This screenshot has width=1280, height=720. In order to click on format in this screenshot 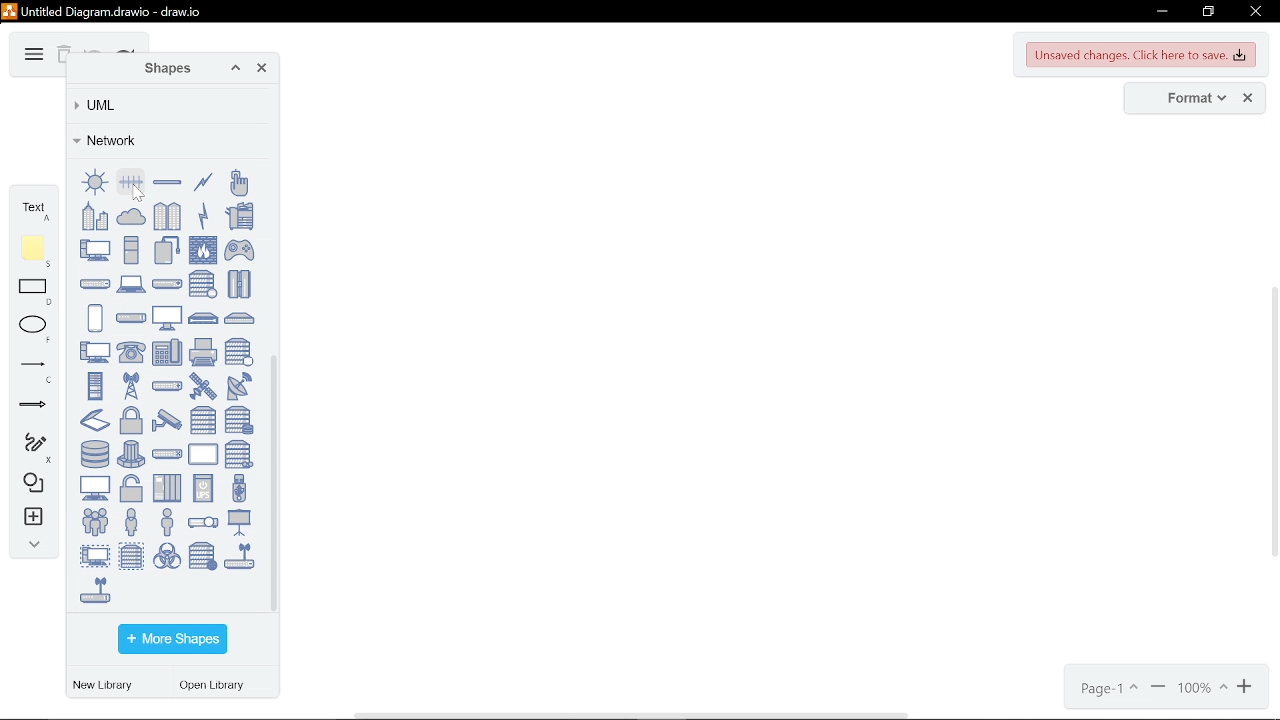, I will do `click(1190, 99)`.